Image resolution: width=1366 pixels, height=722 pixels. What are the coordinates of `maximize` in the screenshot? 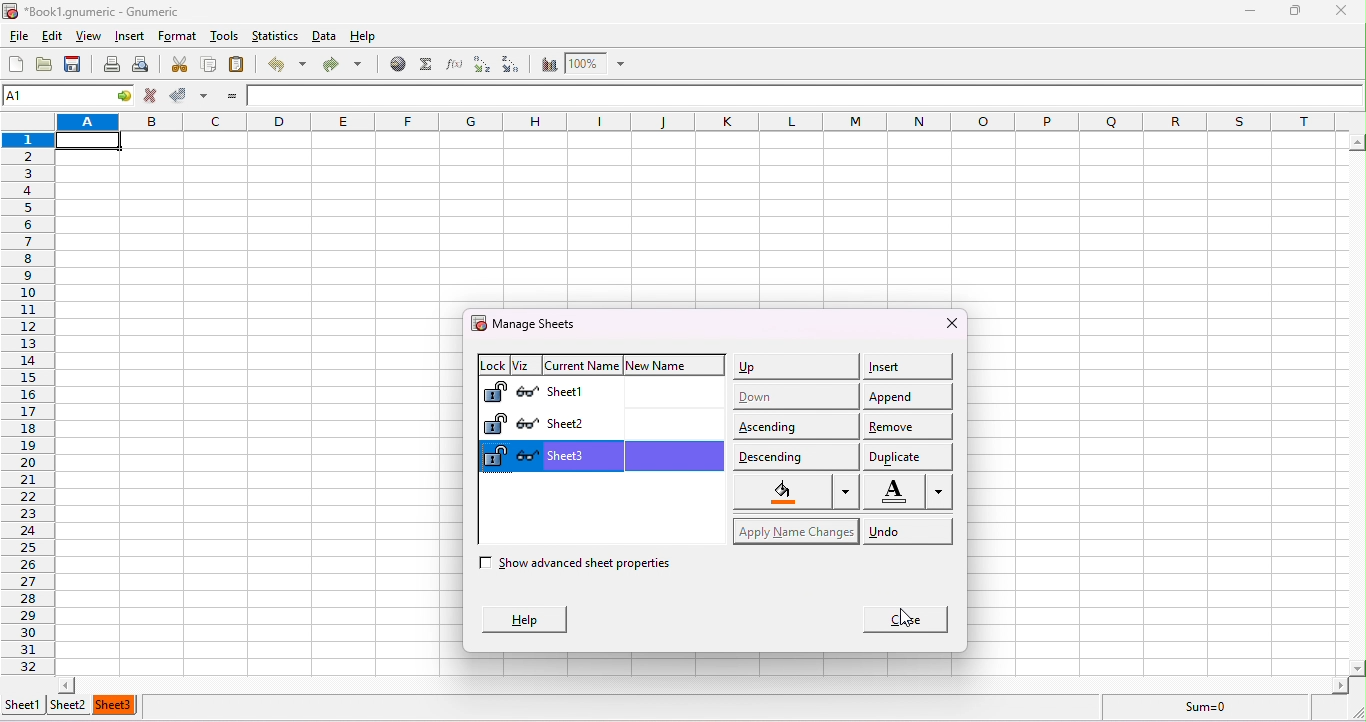 It's located at (1292, 10).